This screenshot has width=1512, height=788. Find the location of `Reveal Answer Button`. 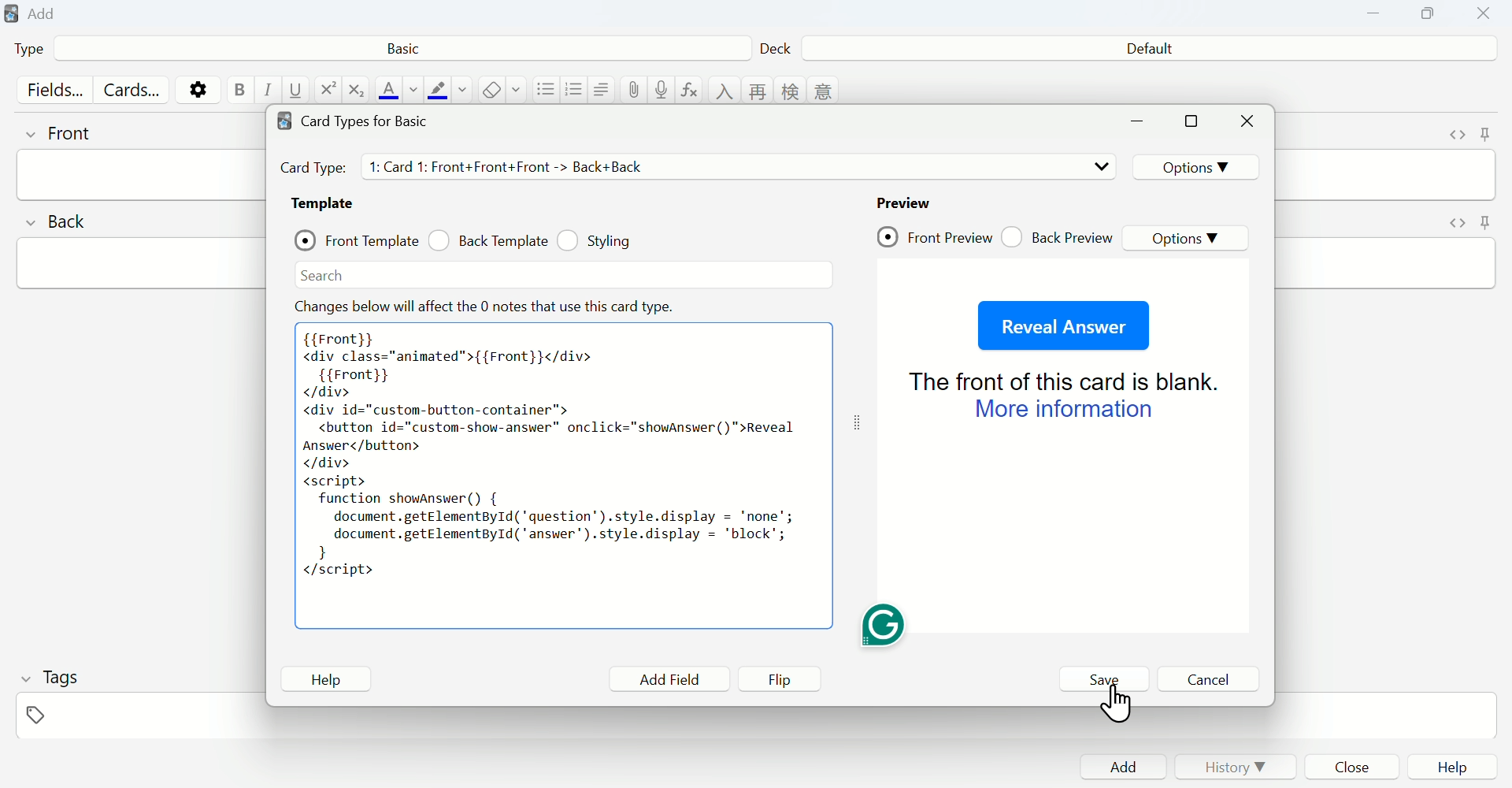

Reveal Answer Button is located at coordinates (1062, 325).